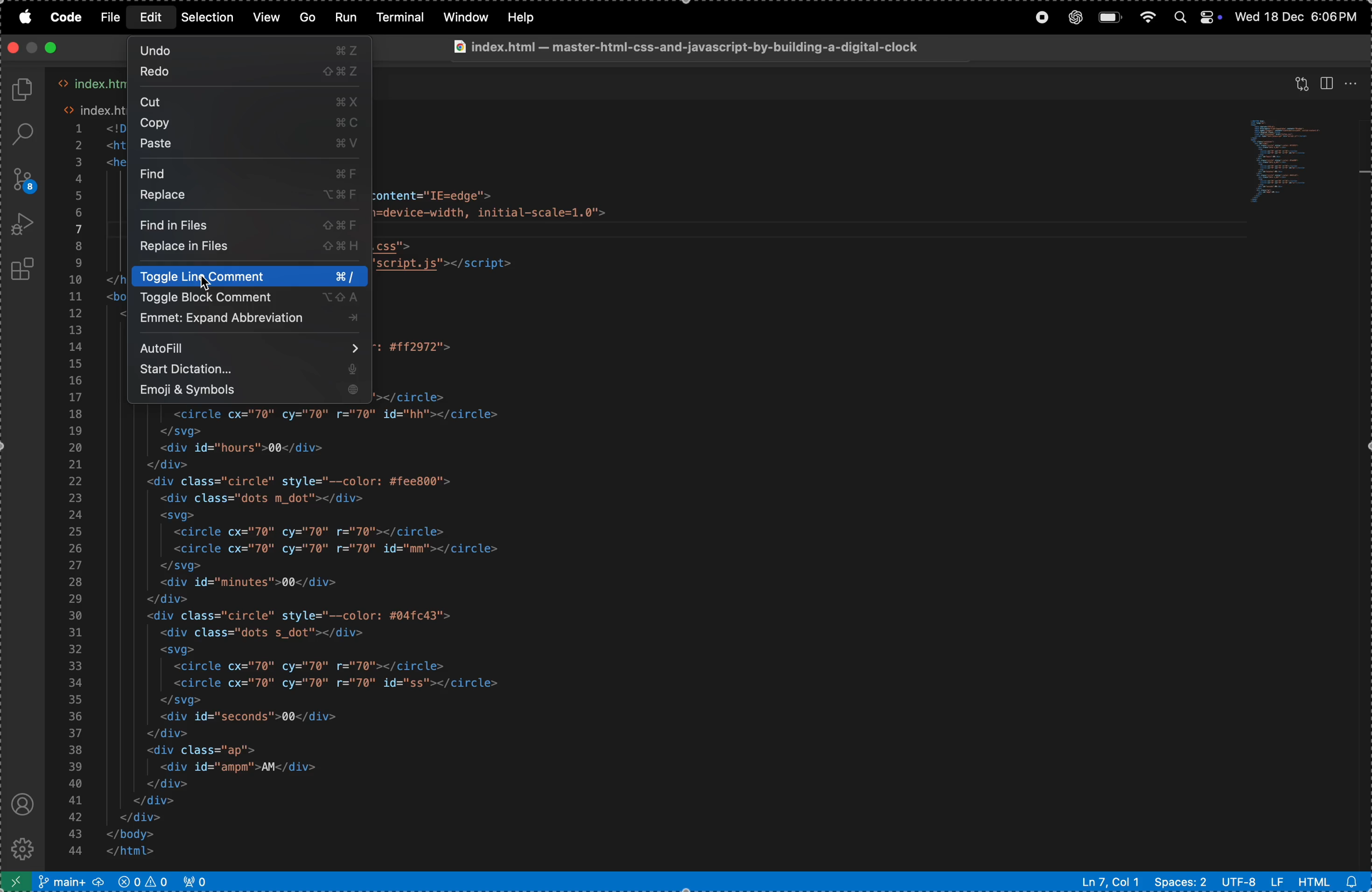 The image size is (1372, 892). Describe the element at coordinates (1352, 84) in the screenshot. I see `options` at that location.